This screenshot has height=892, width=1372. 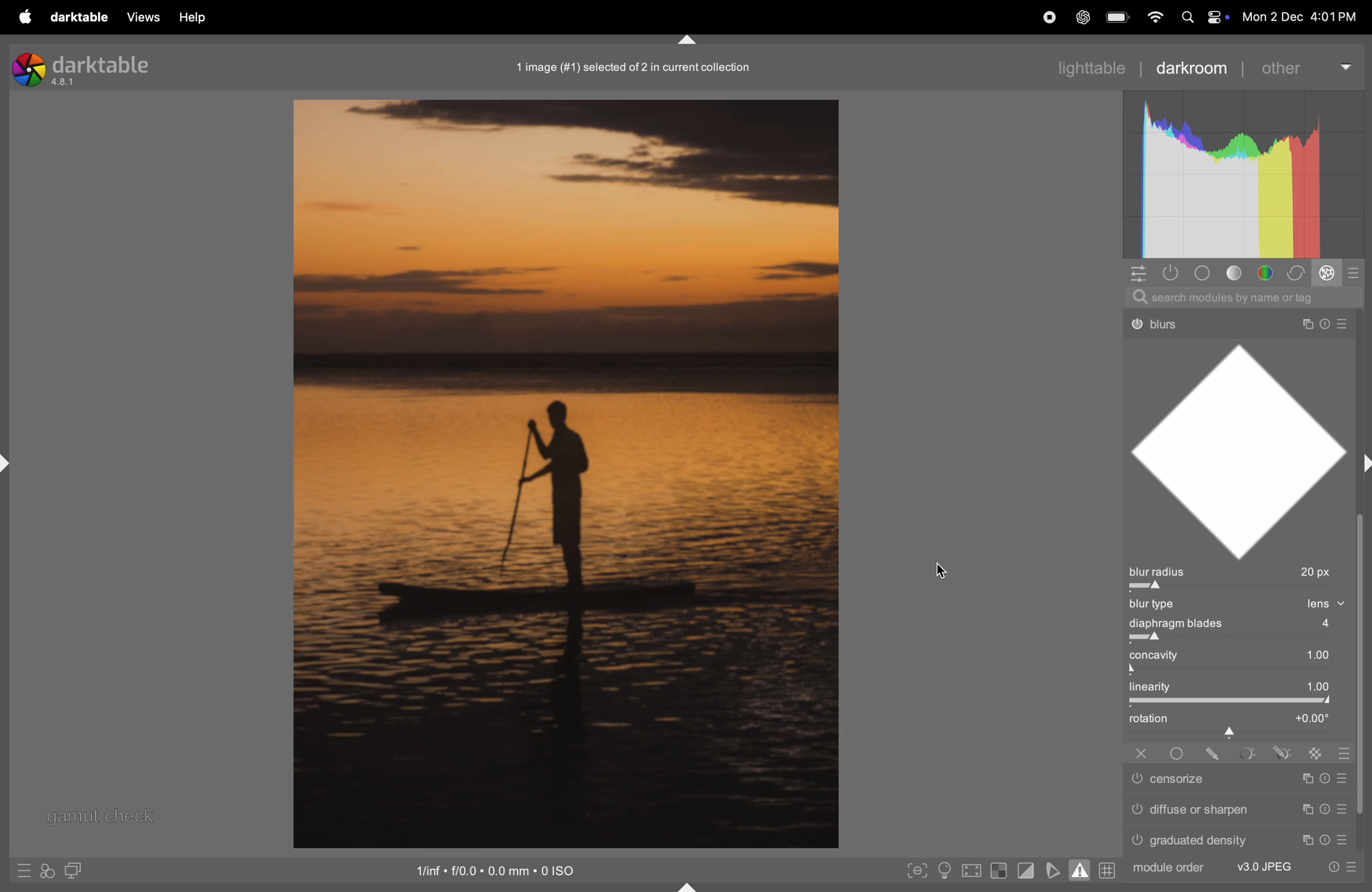 What do you see at coordinates (497, 869) in the screenshot?
I see `iso satandard` at bounding box center [497, 869].